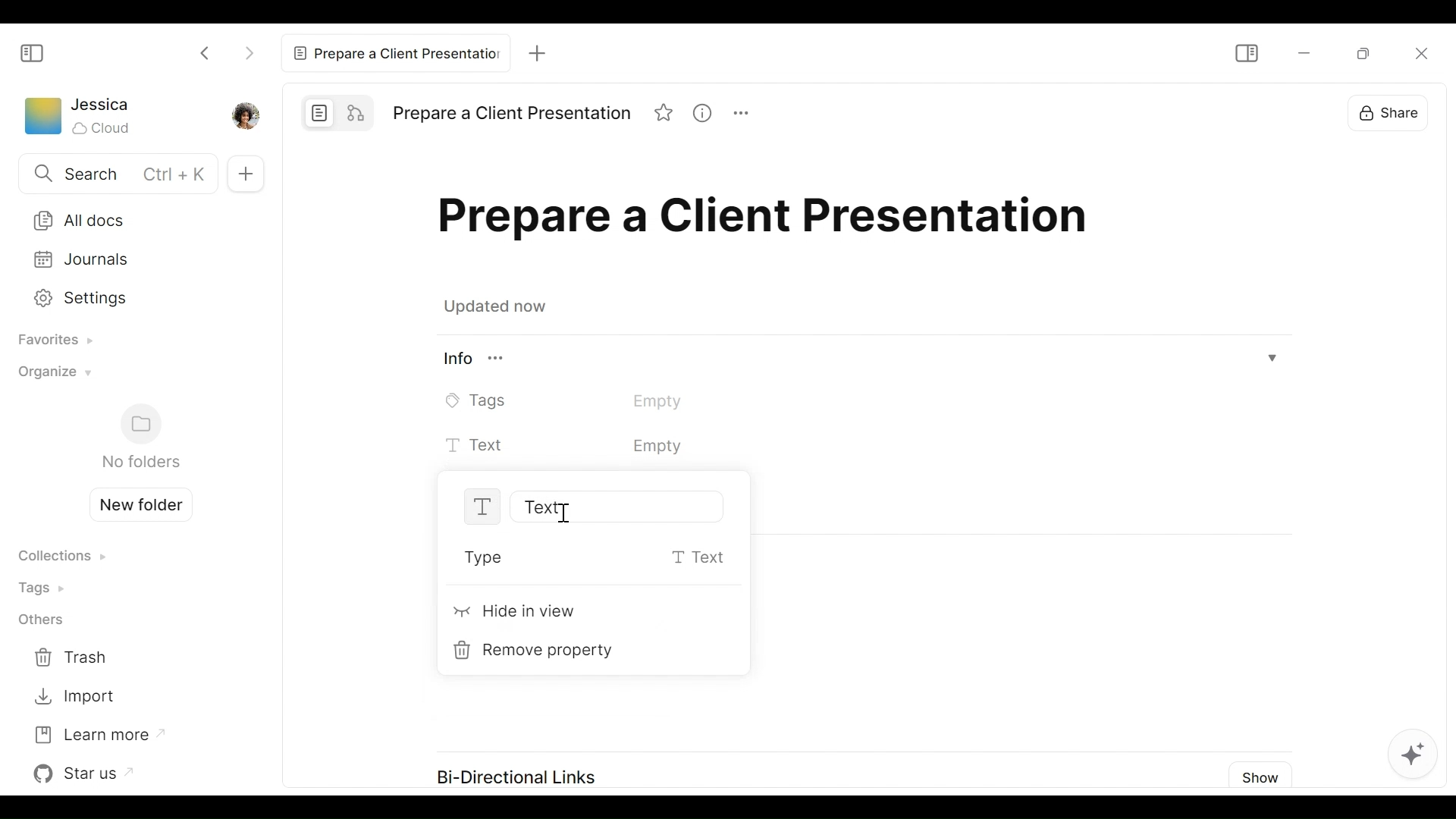  I want to click on Text, so click(566, 507).